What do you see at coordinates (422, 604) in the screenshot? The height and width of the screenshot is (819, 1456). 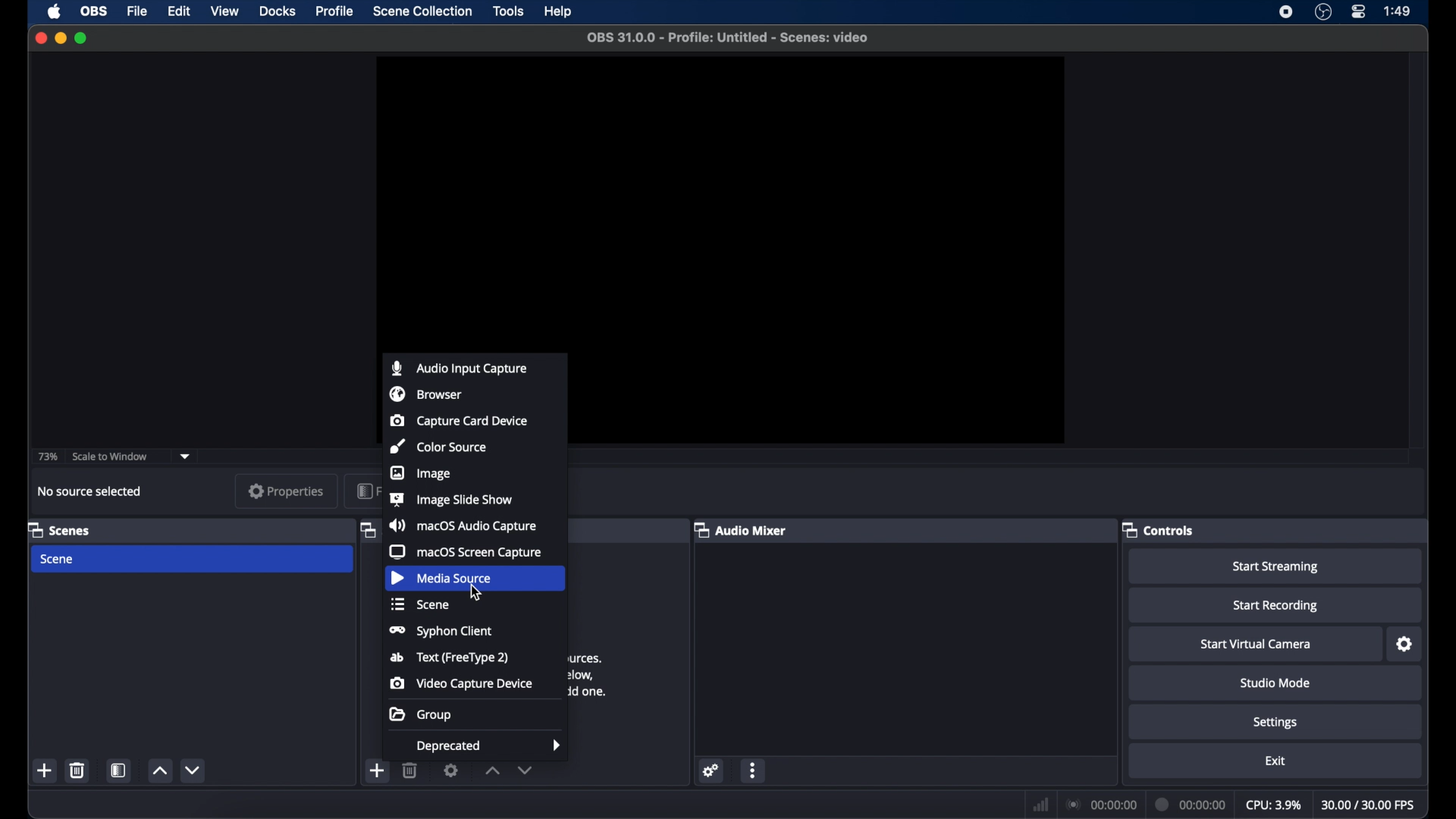 I see `scene` at bounding box center [422, 604].